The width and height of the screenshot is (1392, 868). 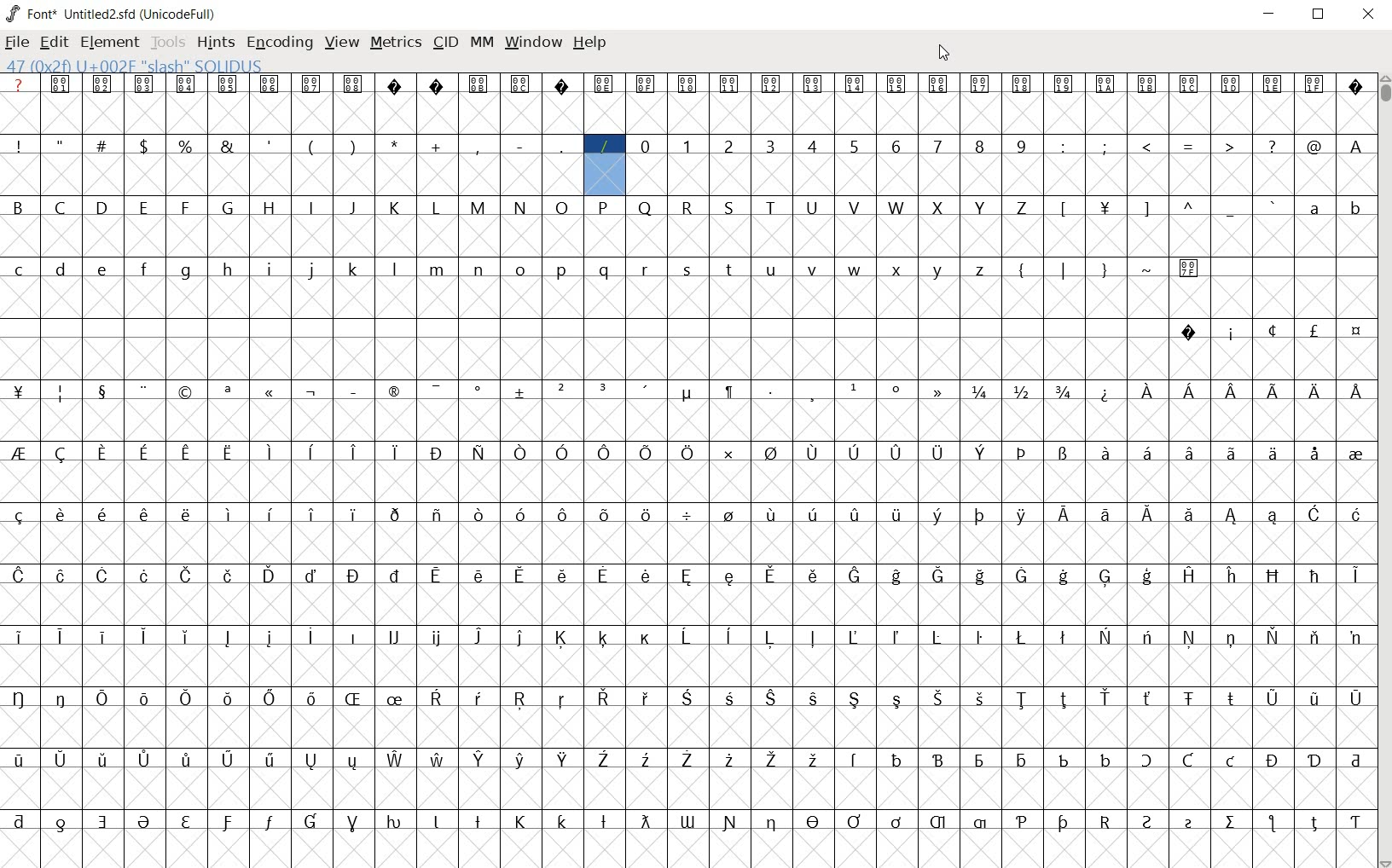 What do you see at coordinates (393, 822) in the screenshot?
I see `glyph` at bounding box center [393, 822].